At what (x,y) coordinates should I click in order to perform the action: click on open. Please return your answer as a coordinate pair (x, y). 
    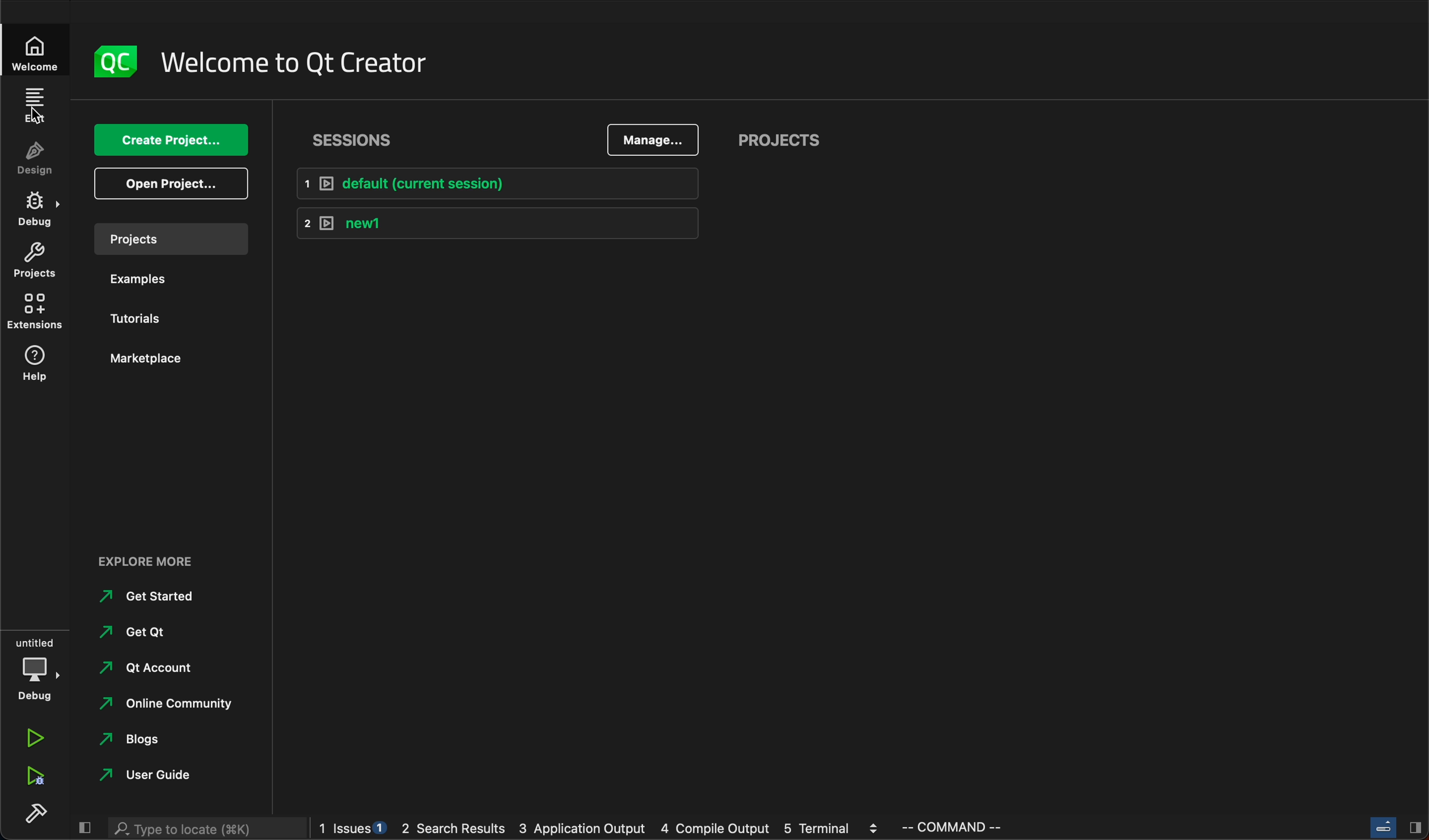
    Looking at the image, I should click on (175, 184).